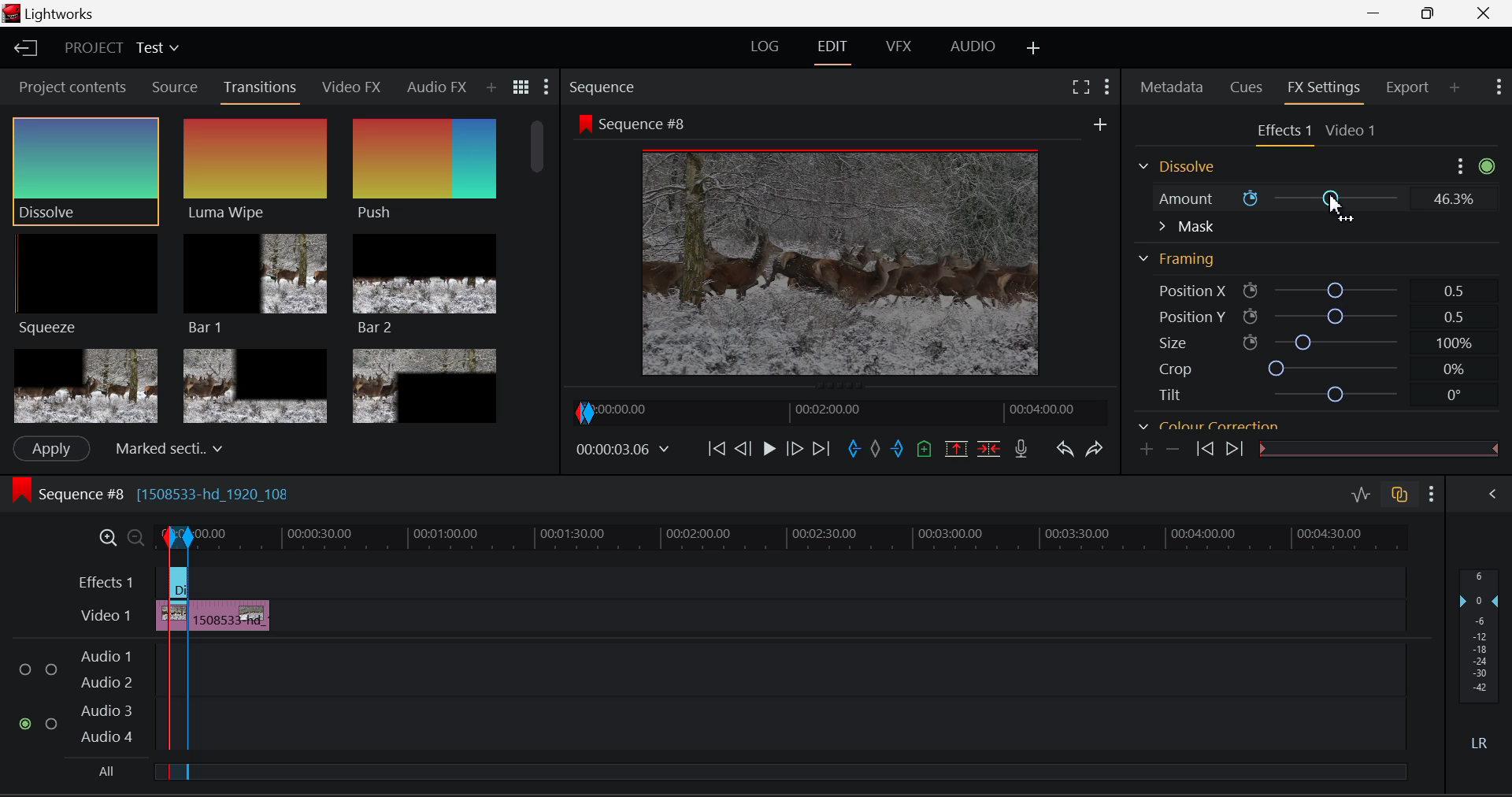 This screenshot has width=1512, height=797. What do you see at coordinates (1462, 165) in the screenshot?
I see `Settings` at bounding box center [1462, 165].